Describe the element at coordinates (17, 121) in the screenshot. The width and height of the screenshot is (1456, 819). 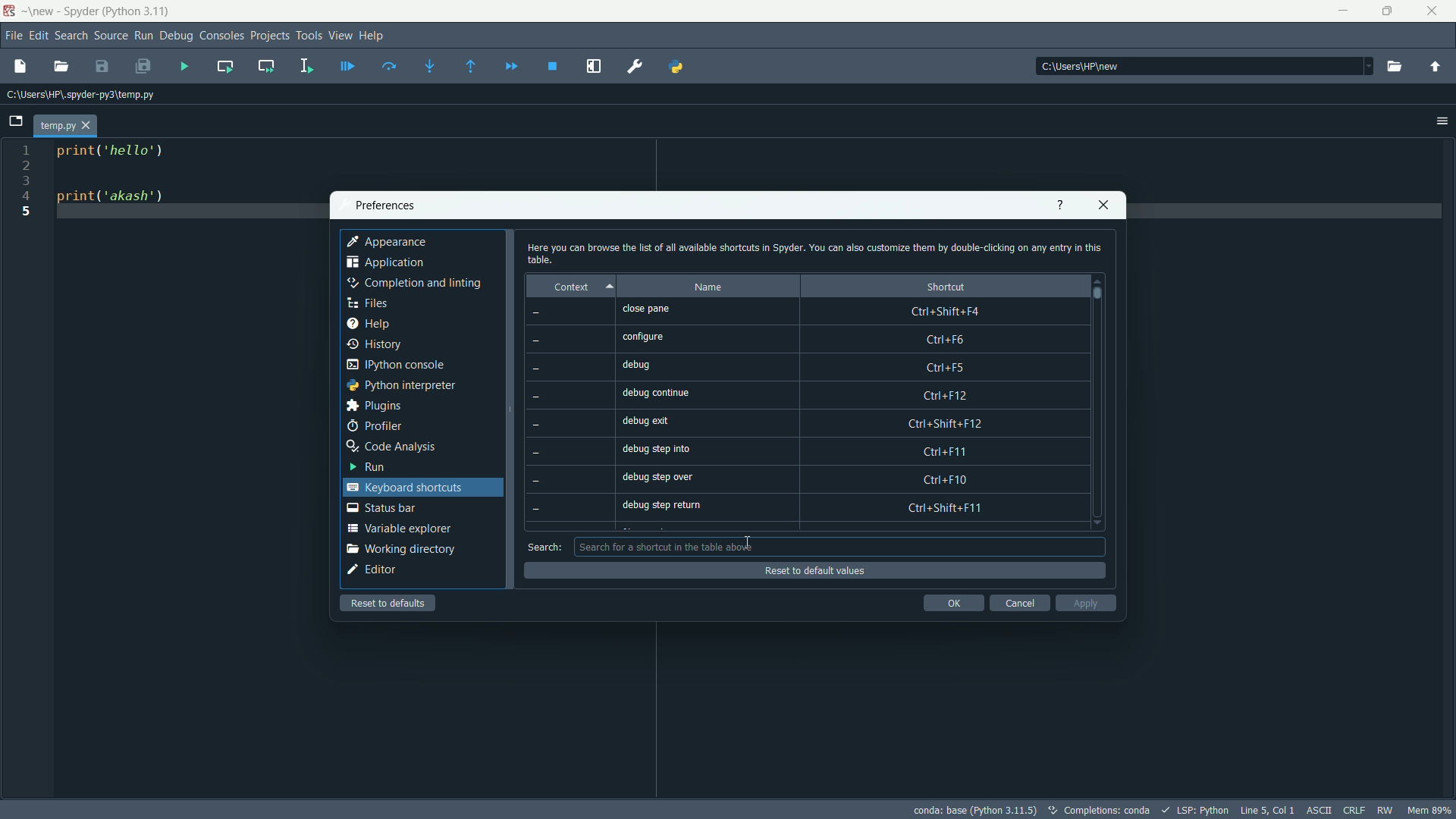
I see `browse tabs` at that location.